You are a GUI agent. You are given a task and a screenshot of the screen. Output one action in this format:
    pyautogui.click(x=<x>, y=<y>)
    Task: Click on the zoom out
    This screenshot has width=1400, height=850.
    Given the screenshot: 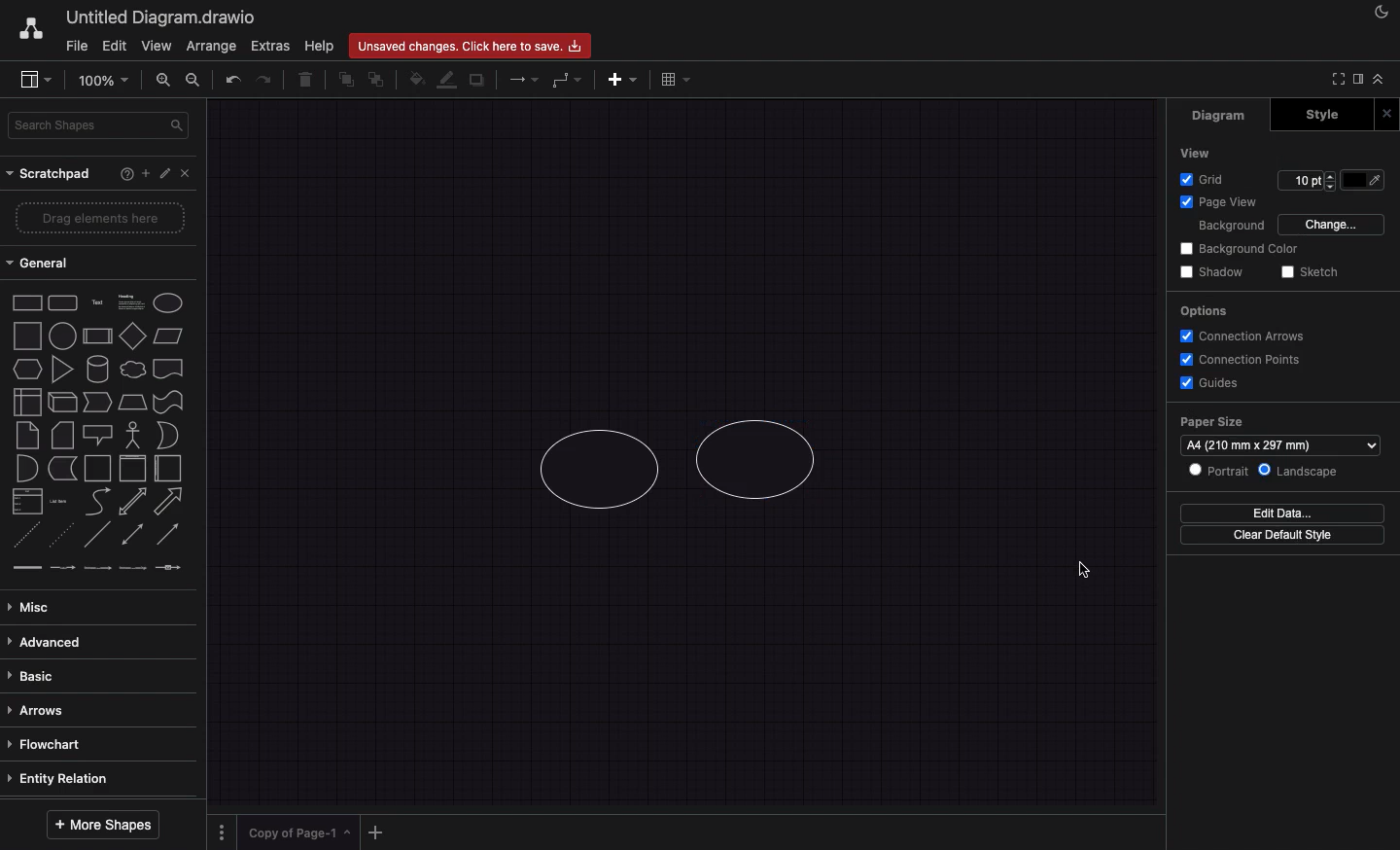 What is the action you would take?
    pyautogui.click(x=196, y=80)
    